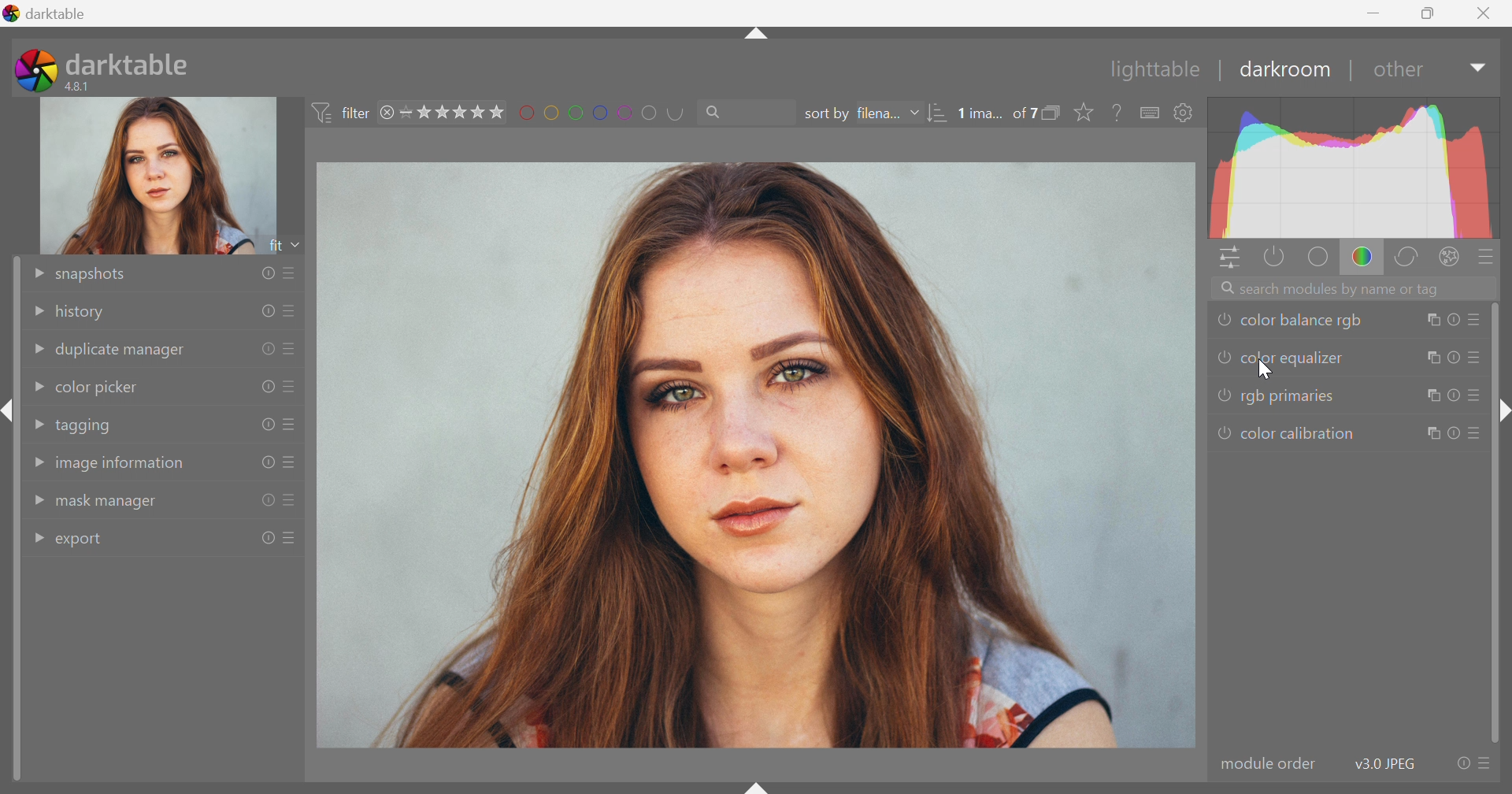  Describe the element at coordinates (1317, 258) in the screenshot. I see `base` at that location.